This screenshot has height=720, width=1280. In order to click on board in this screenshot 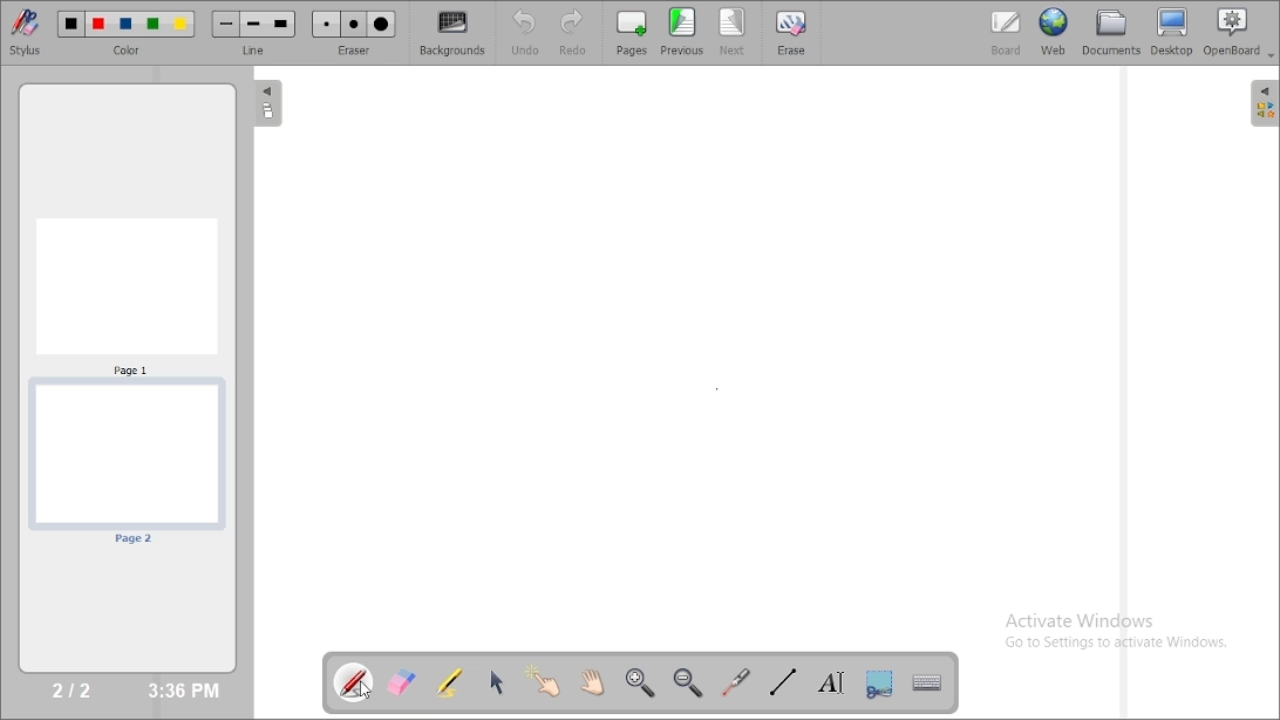, I will do `click(1006, 33)`.